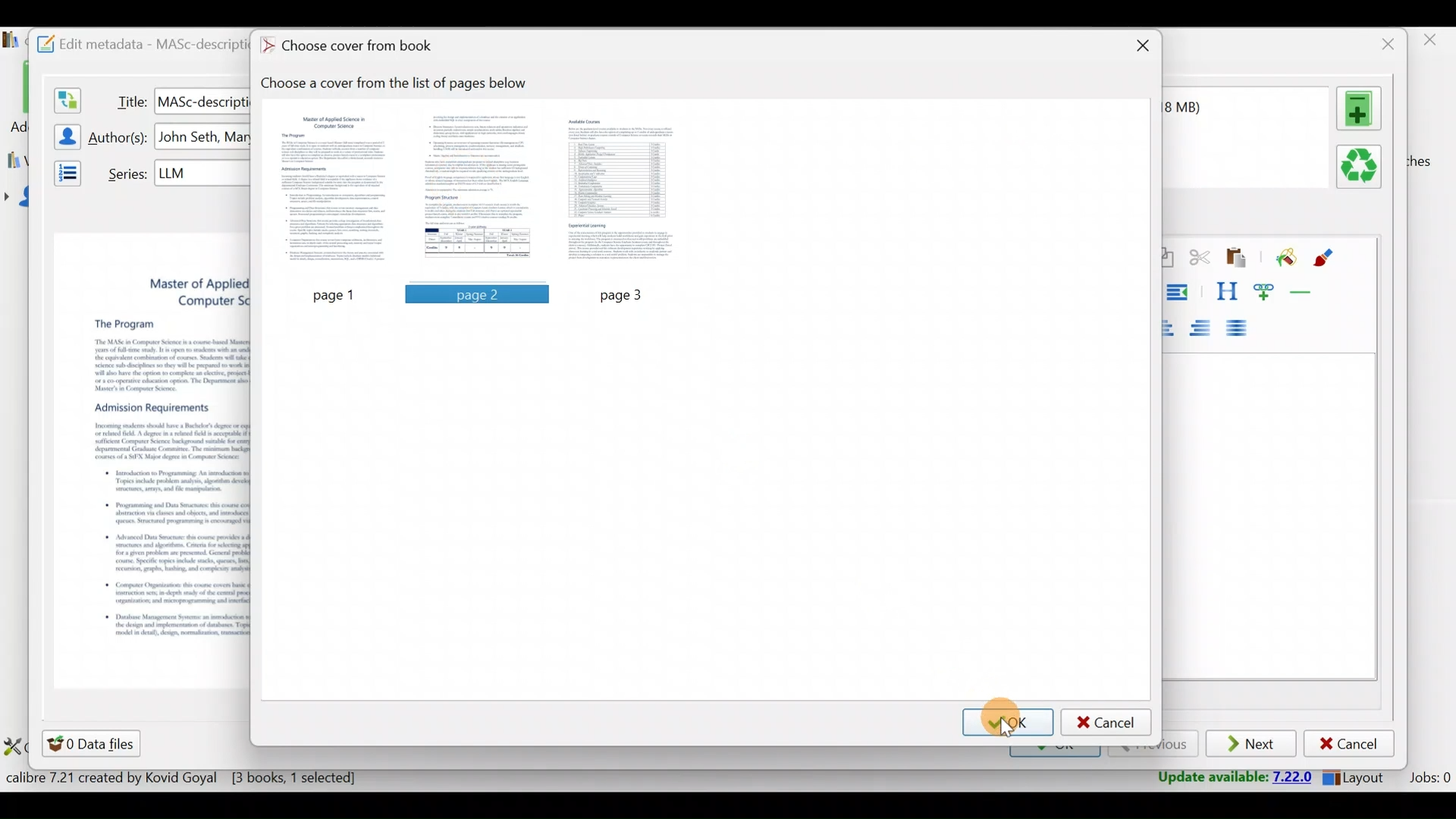 This screenshot has height=819, width=1456. Describe the element at coordinates (477, 293) in the screenshot. I see `` at that location.